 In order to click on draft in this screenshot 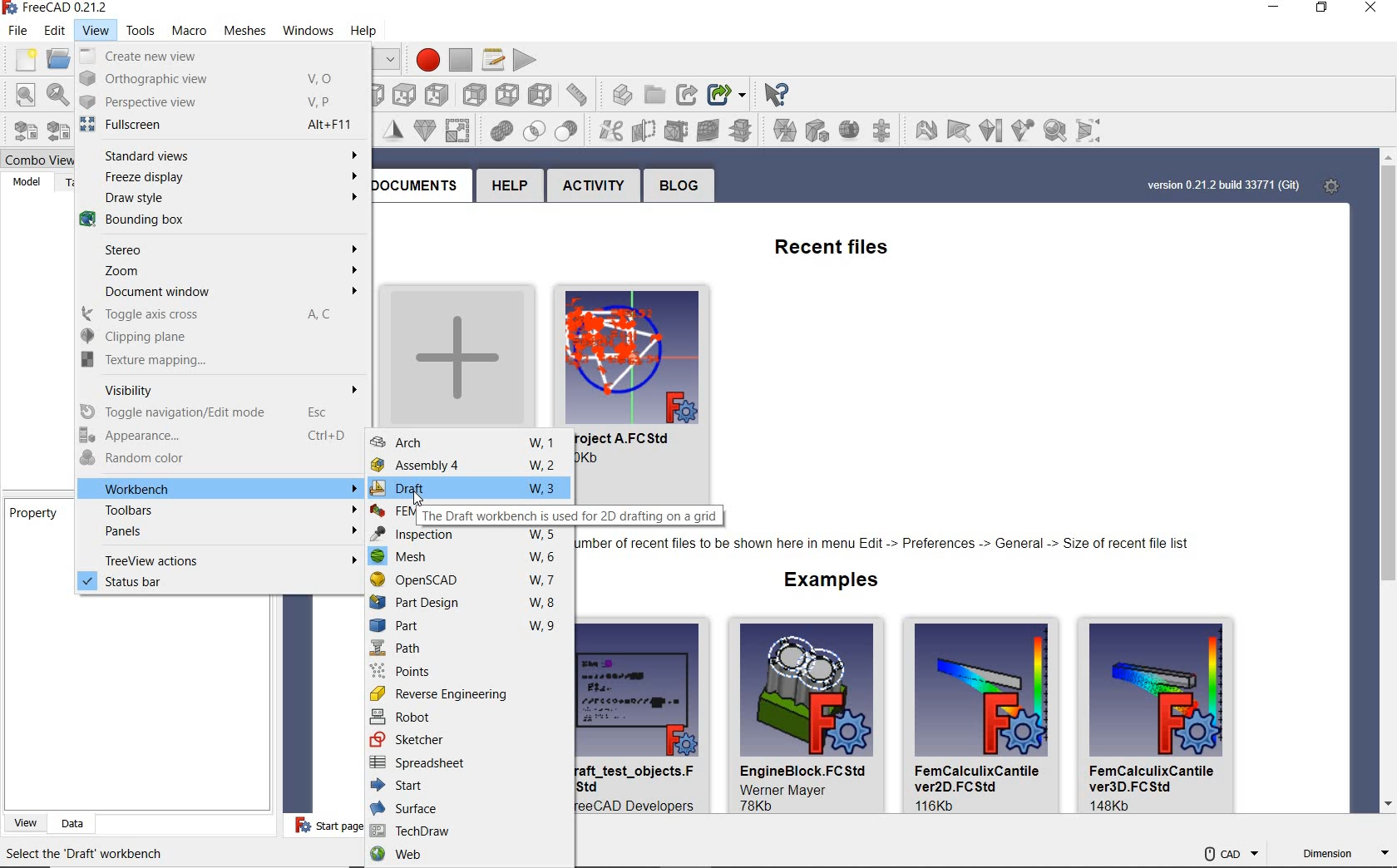, I will do `click(464, 489)`.